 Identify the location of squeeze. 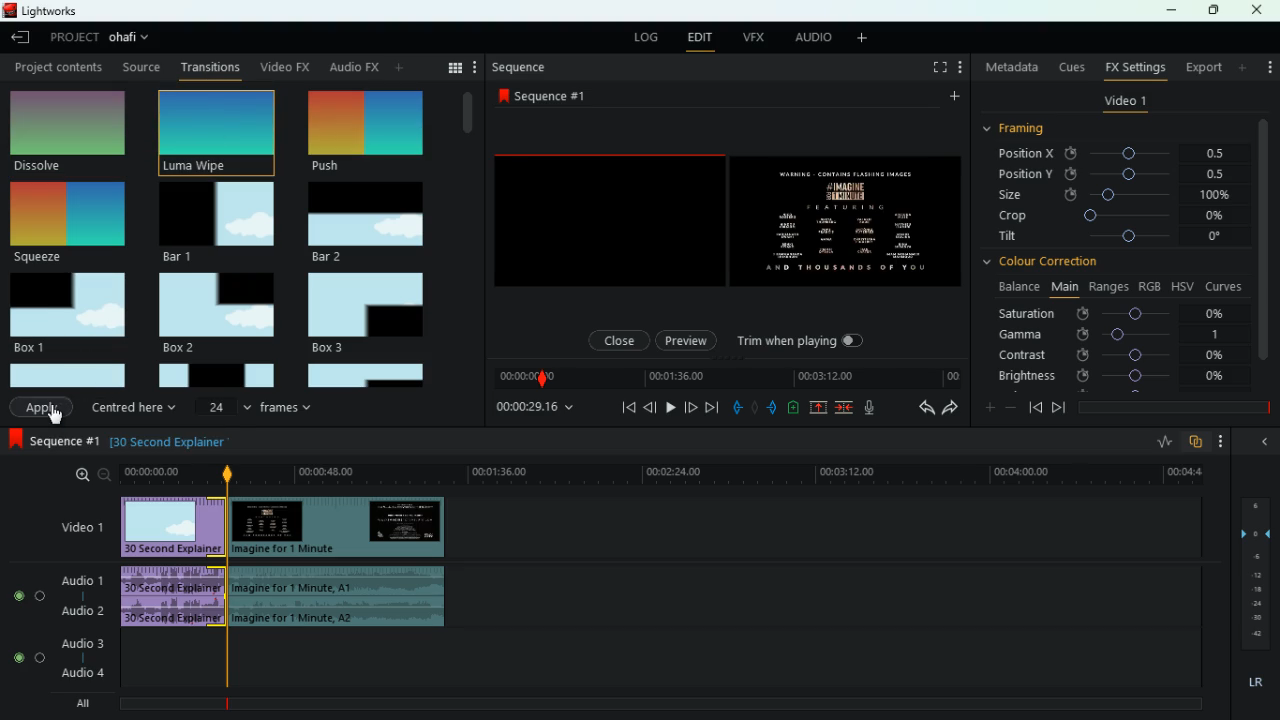
(65, 223).